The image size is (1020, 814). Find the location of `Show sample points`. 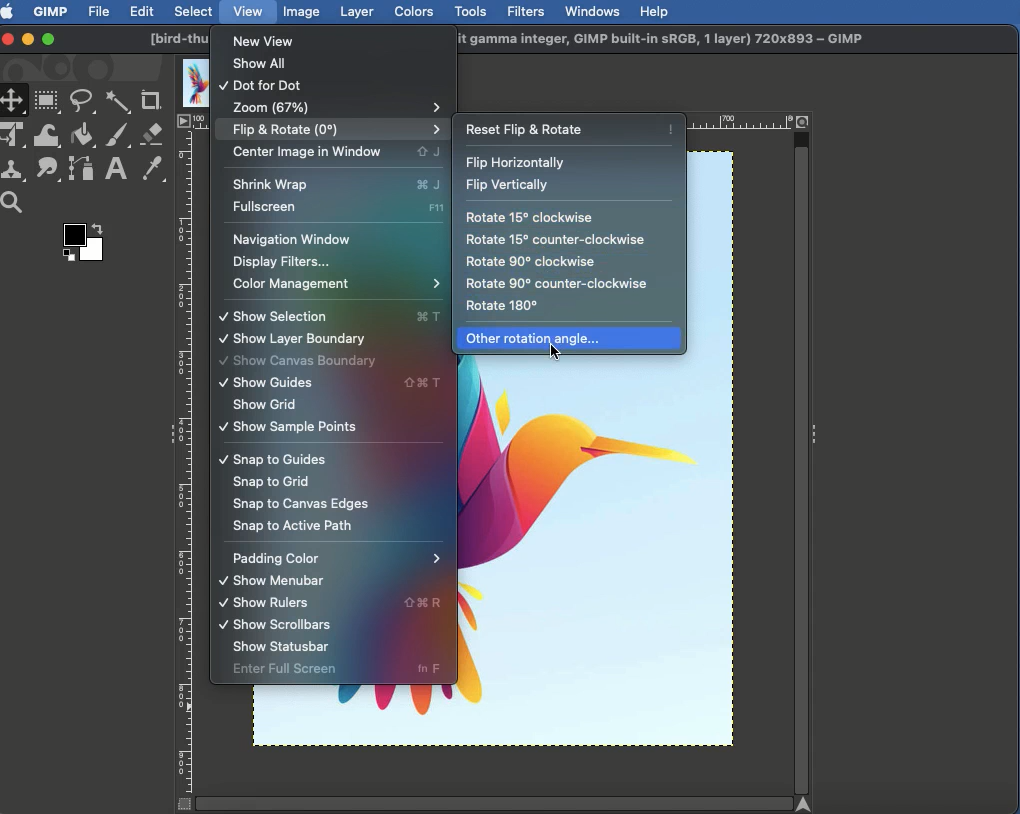

Show sample points is located at coordinates (288, 426).